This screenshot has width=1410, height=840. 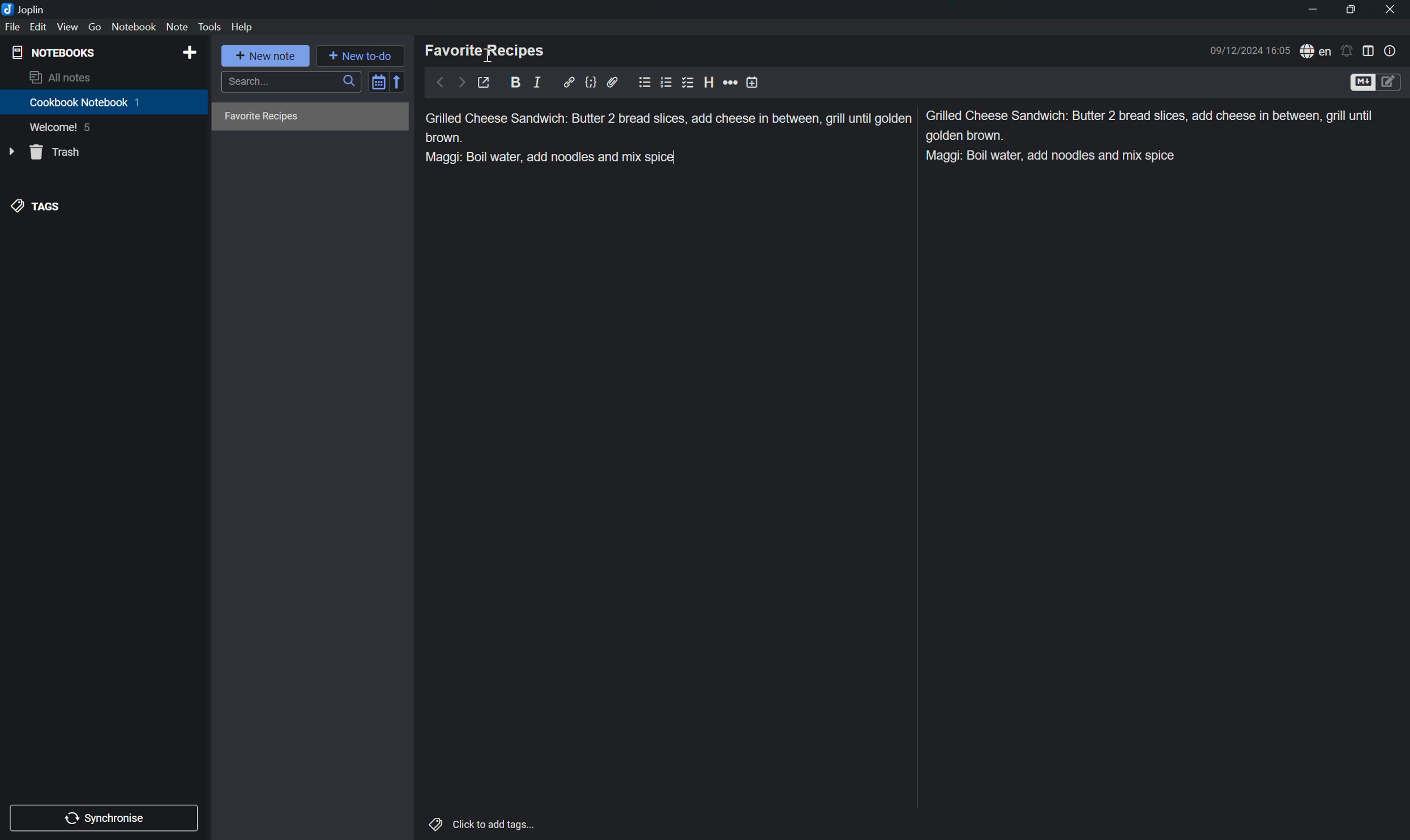 What do you see at coordinates (1349, 12) in the screenshot?
I see `Restore Down` at bounding box center [1349, 12].